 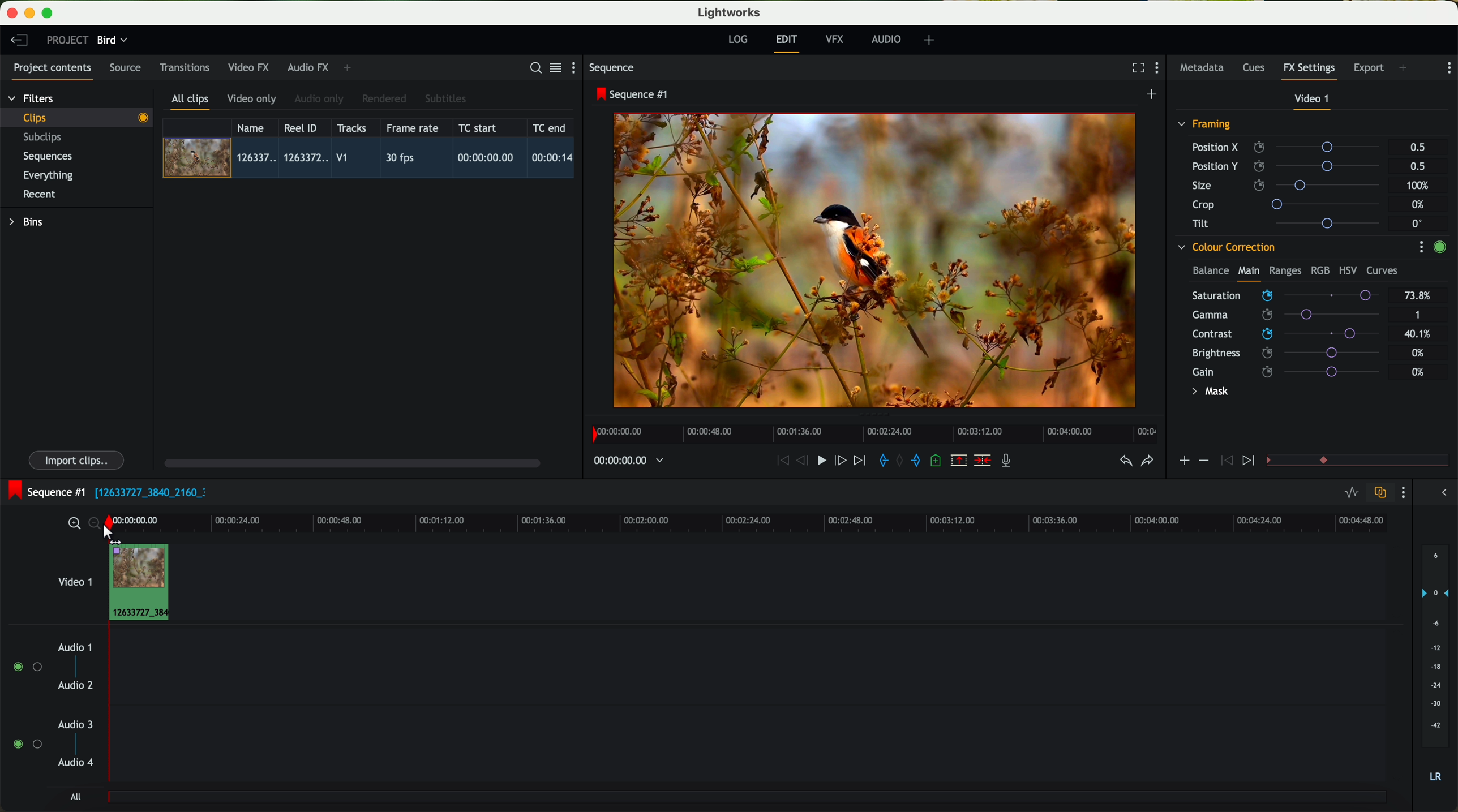 What do you see at coordinates (372, 160) in the screenshot?
I see `click on video` at bounding box center [372, 160].